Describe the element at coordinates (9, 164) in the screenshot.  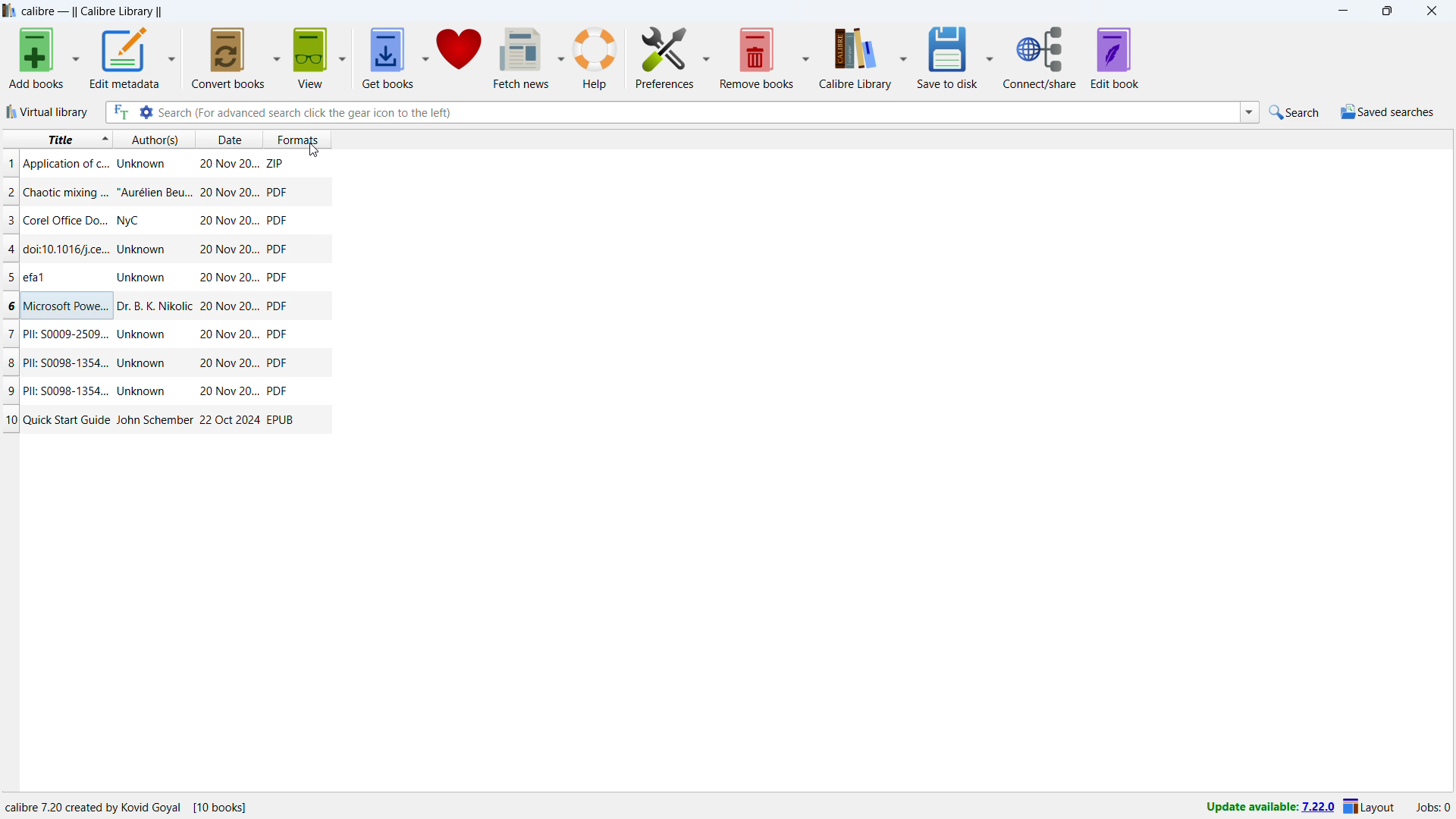
I see `1` at that location.